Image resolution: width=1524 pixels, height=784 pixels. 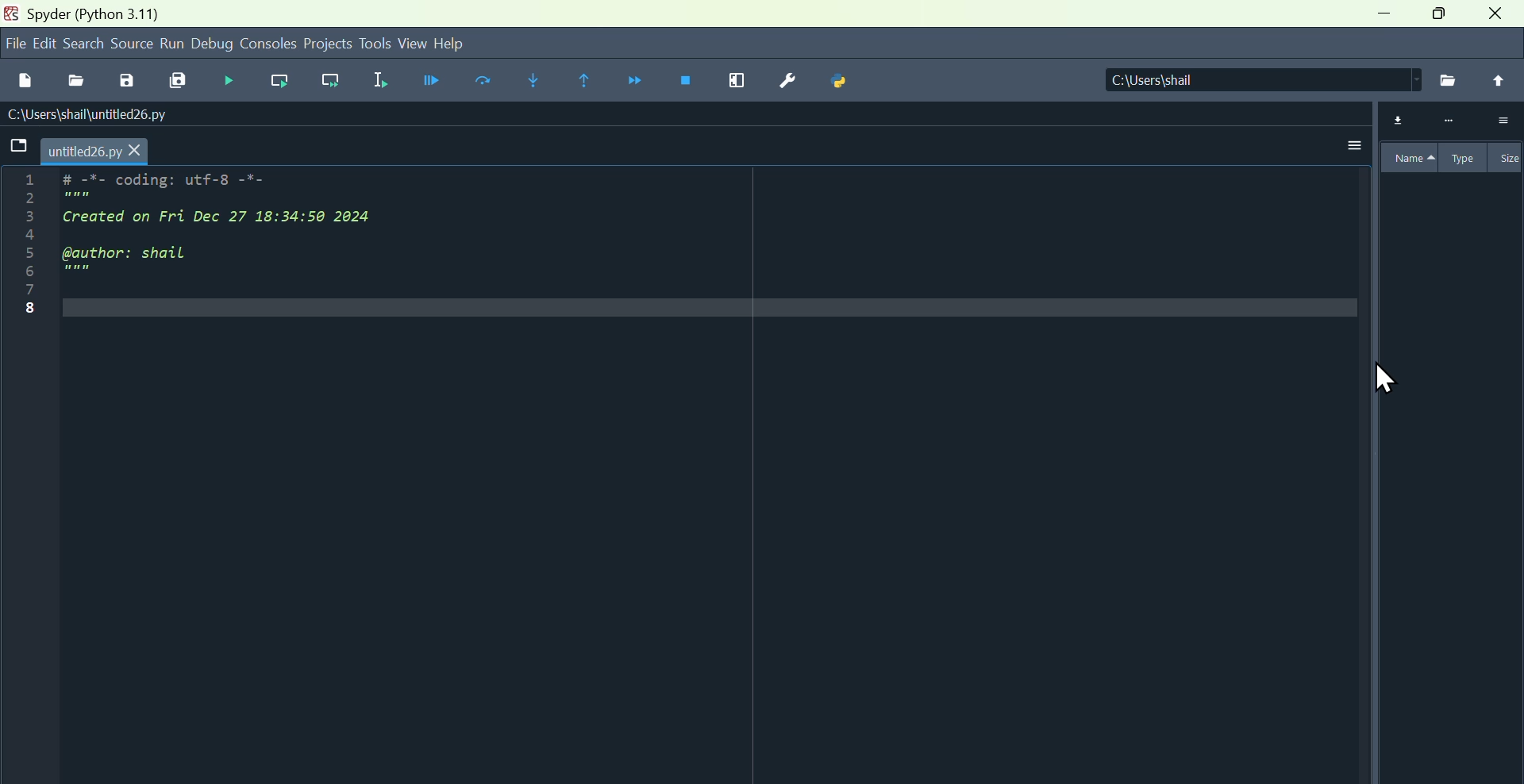 I want to click on minimise, so click(x=1379, y=19).